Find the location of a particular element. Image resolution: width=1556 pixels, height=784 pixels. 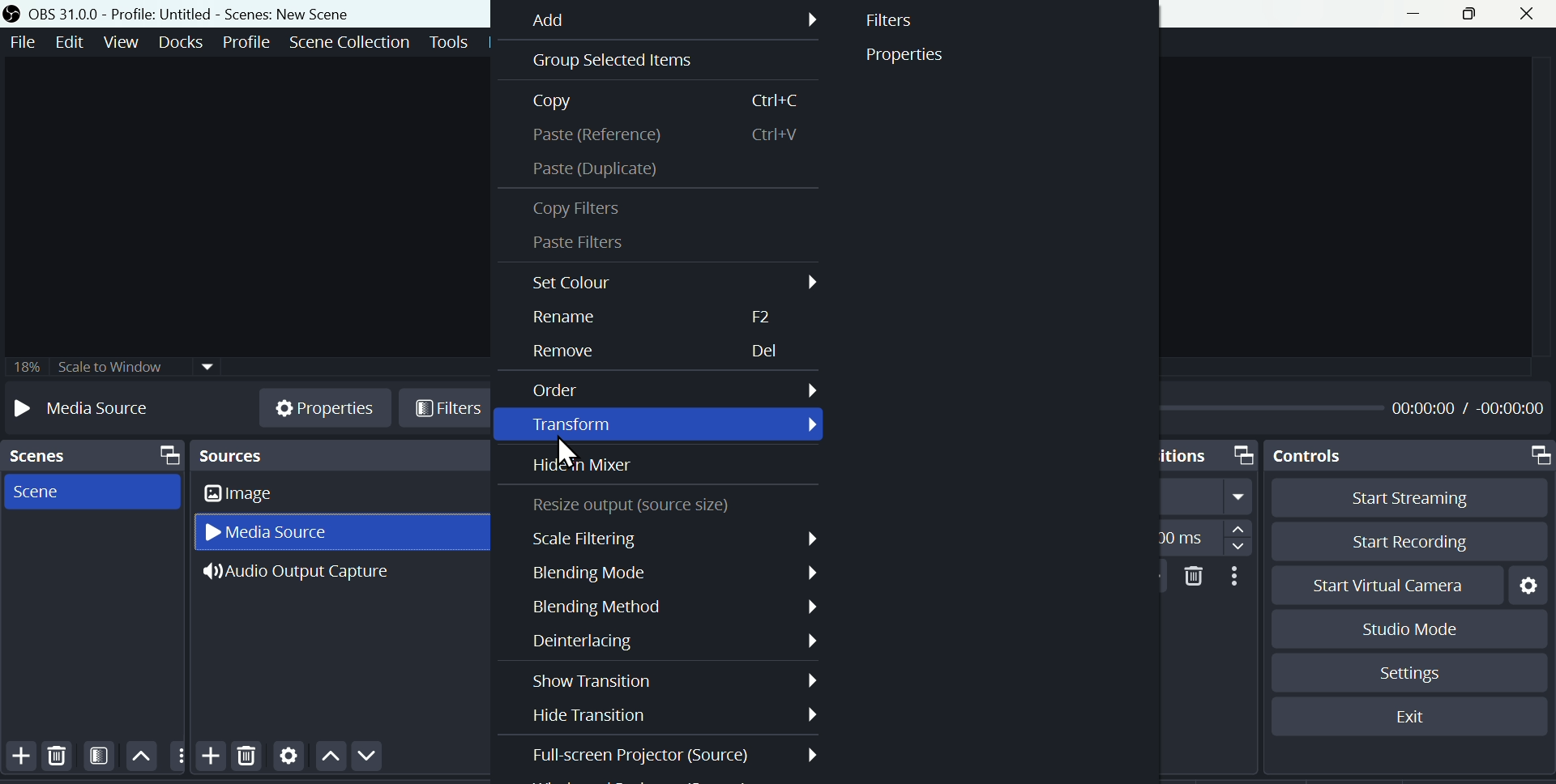

minimise is located at coordinates (1422, 13).